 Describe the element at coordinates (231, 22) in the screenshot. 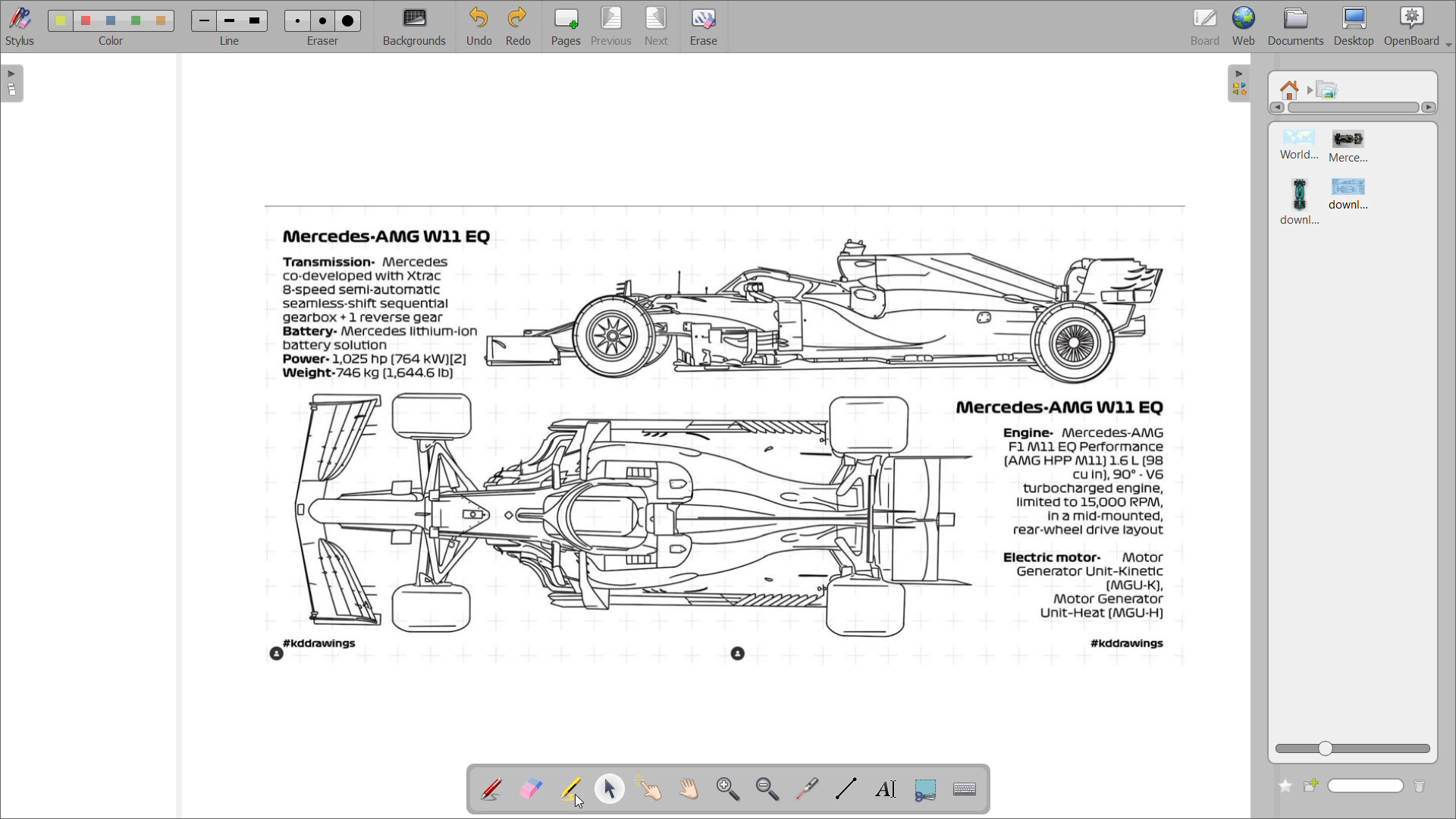

I see `line 2` at that location.